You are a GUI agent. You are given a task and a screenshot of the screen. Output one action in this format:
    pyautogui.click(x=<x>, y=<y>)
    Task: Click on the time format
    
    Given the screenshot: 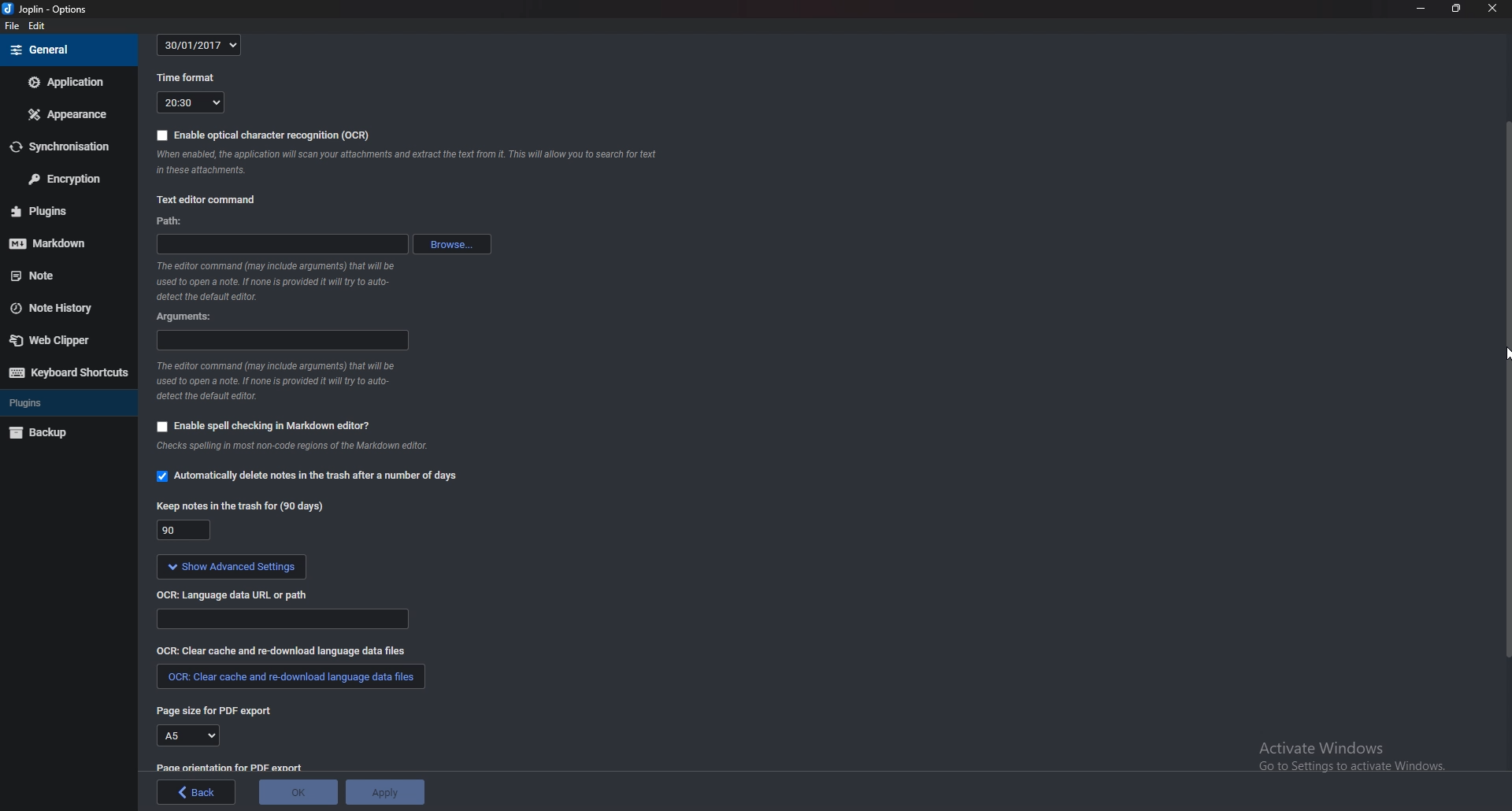 What is the action you would take?
    pyautogui.click(x=186, y=80)
    